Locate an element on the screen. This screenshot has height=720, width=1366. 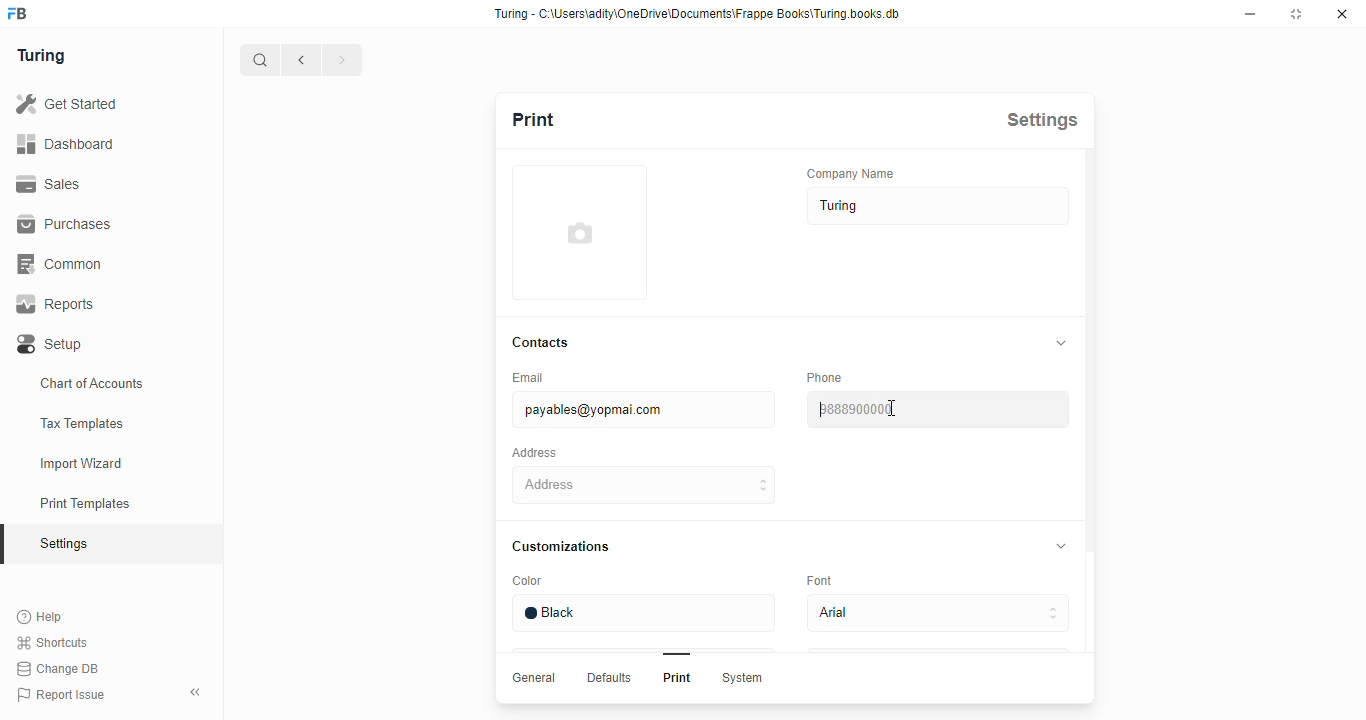
Color. is located at coordinates (529, 582).